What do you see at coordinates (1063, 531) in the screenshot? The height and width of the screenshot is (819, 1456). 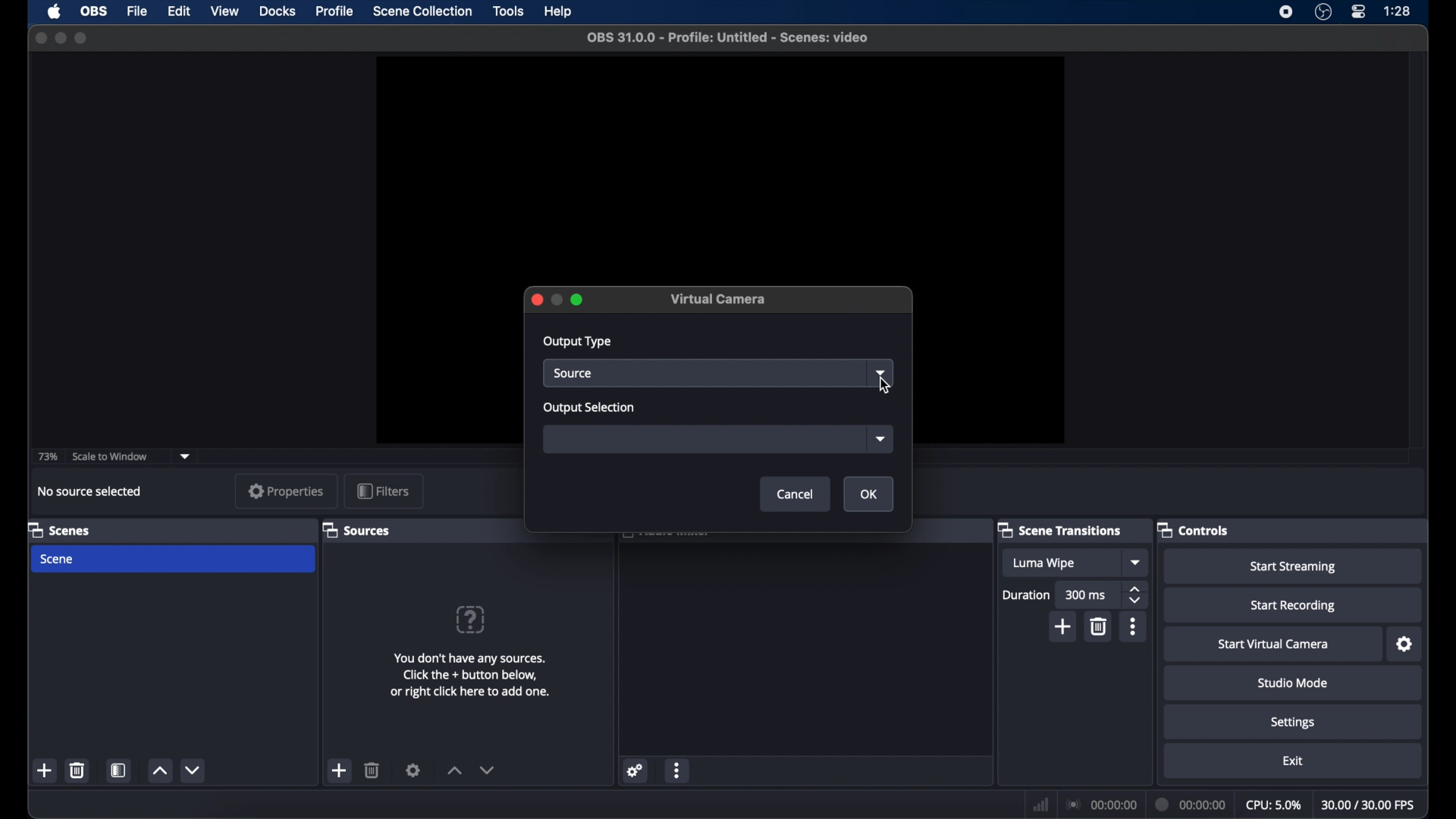 I see `scene transitions` at bounding box center [1063, 531].